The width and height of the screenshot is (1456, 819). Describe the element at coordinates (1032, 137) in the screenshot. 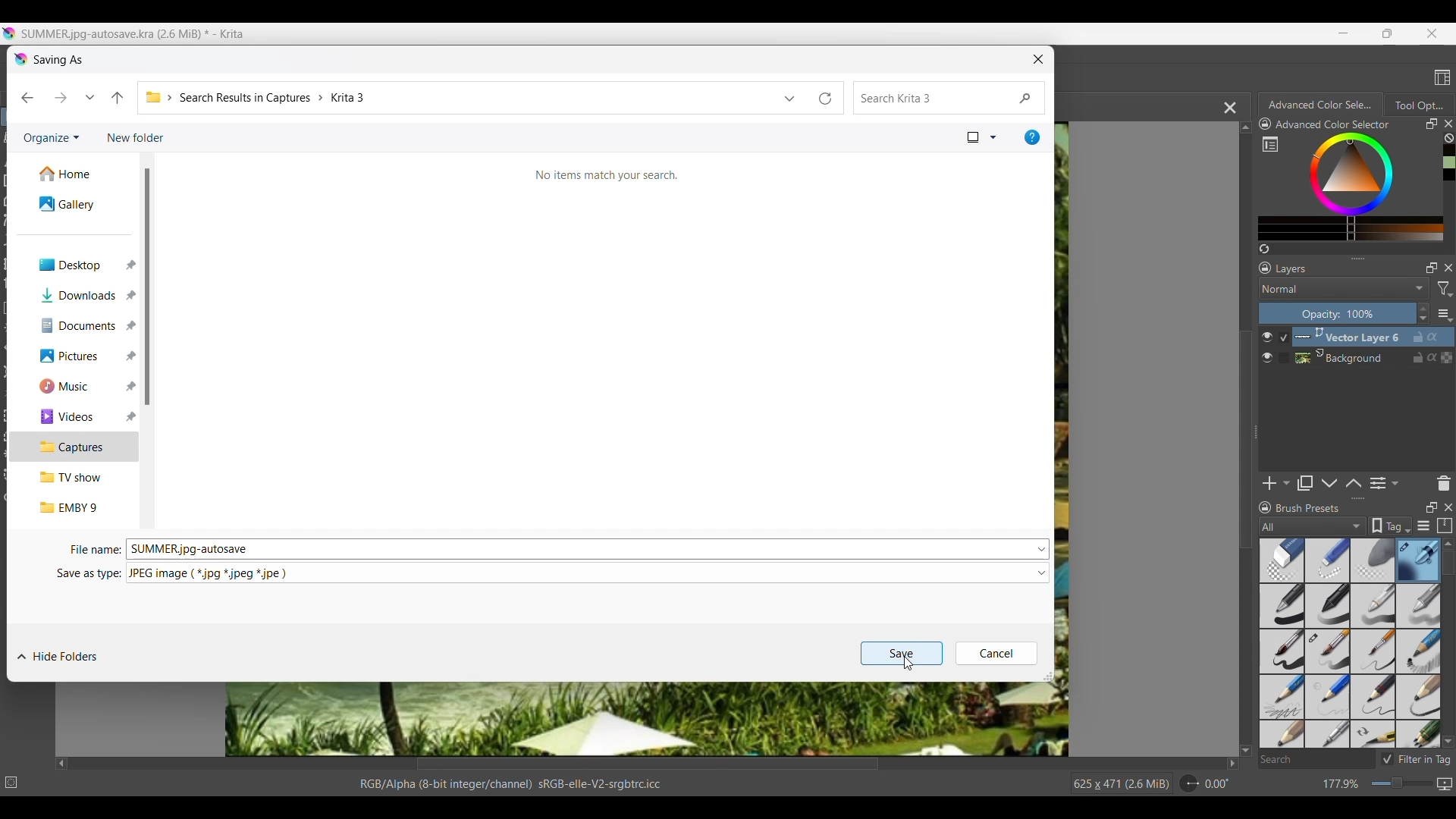

I see `Get help` at that location.